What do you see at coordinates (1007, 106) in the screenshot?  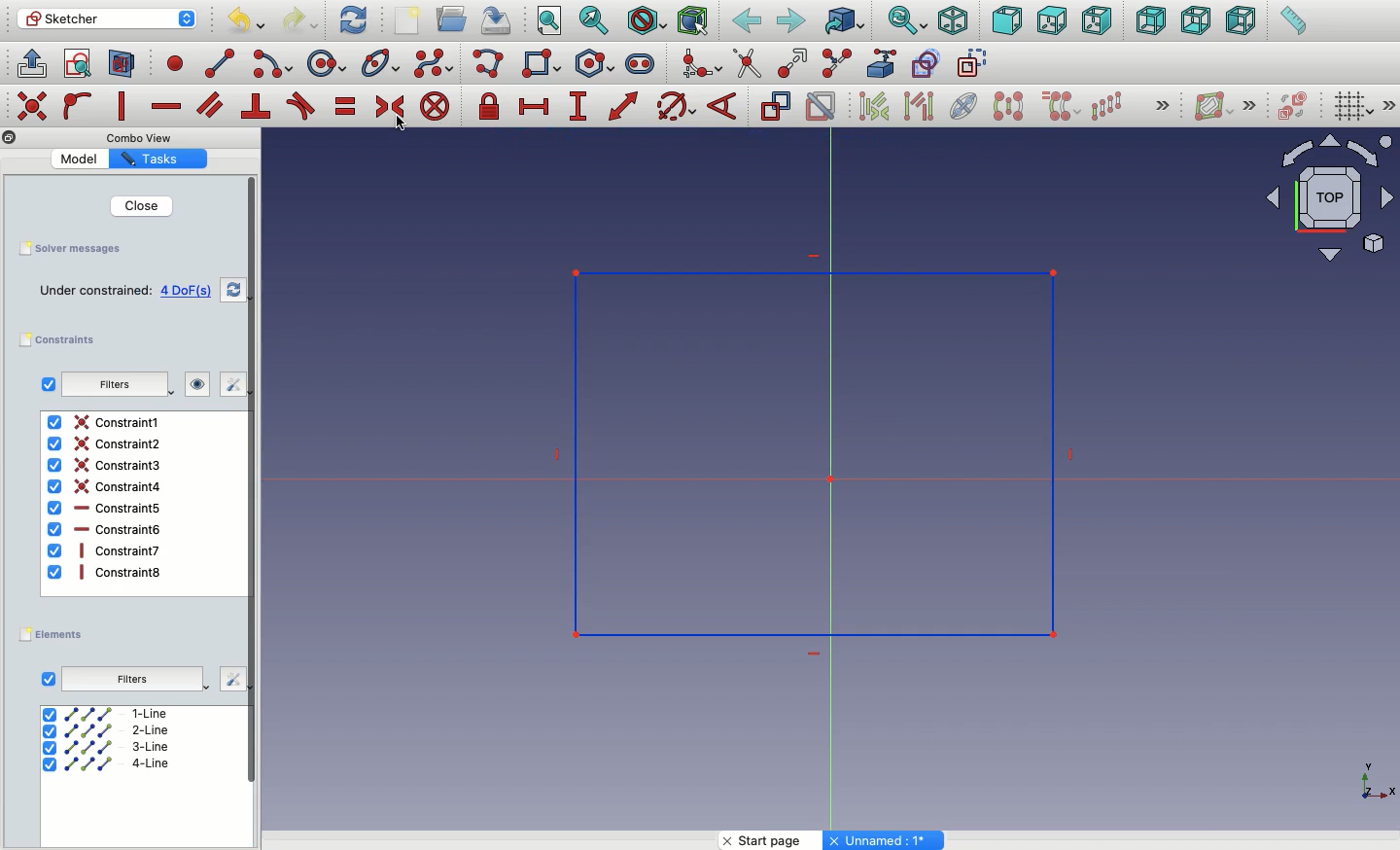 I see `Symmetry` at bounding box center [1007, 106].